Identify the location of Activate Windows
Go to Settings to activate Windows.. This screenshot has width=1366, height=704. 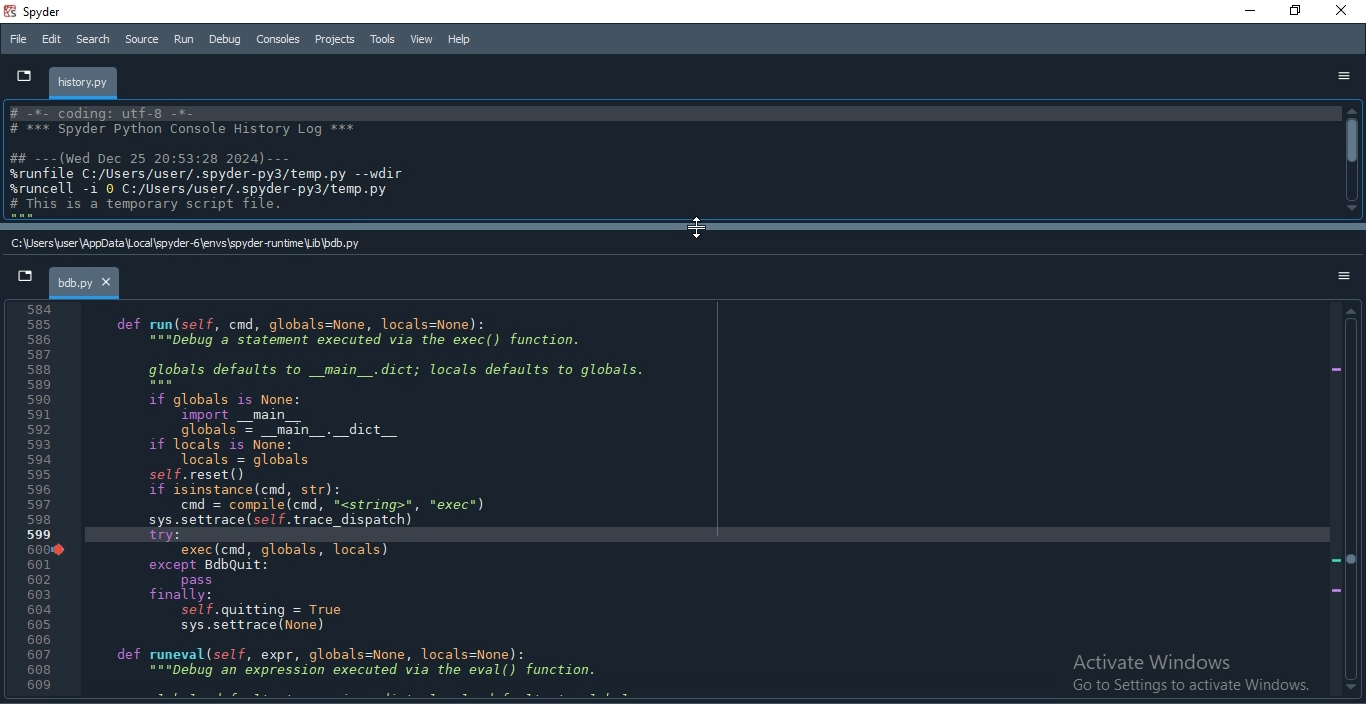
(1176, 667).